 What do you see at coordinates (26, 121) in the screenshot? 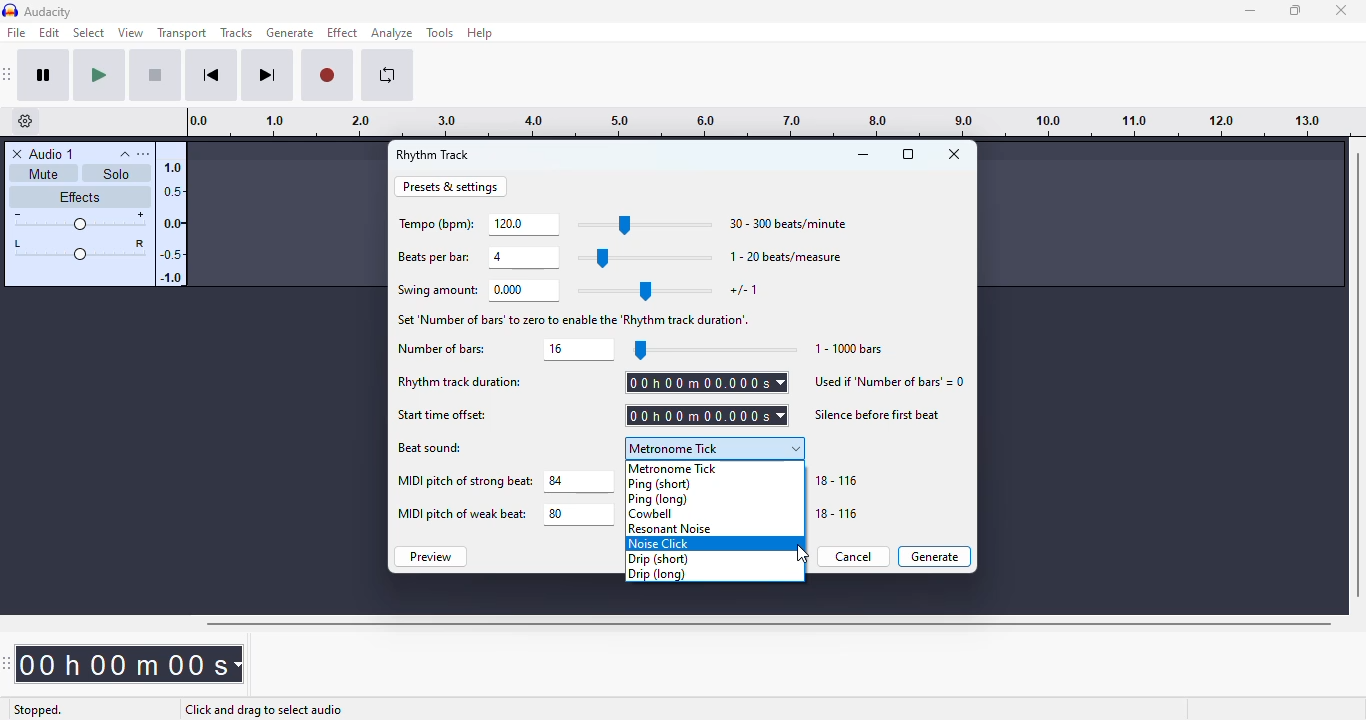
I see `timeline options` at bounding box center [26, 121].